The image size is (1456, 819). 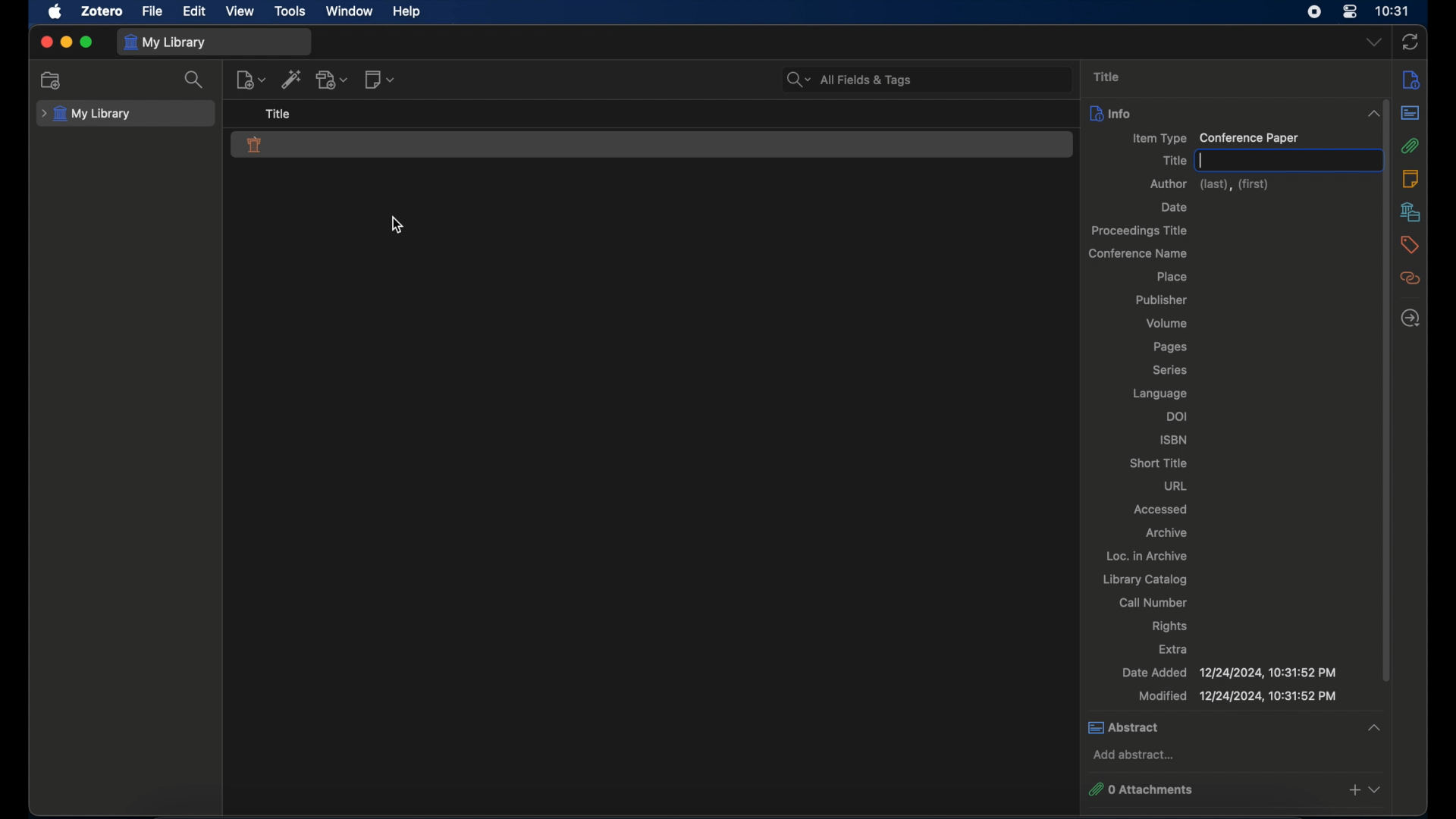 I want to click on edit, so click(x=194, y=11).